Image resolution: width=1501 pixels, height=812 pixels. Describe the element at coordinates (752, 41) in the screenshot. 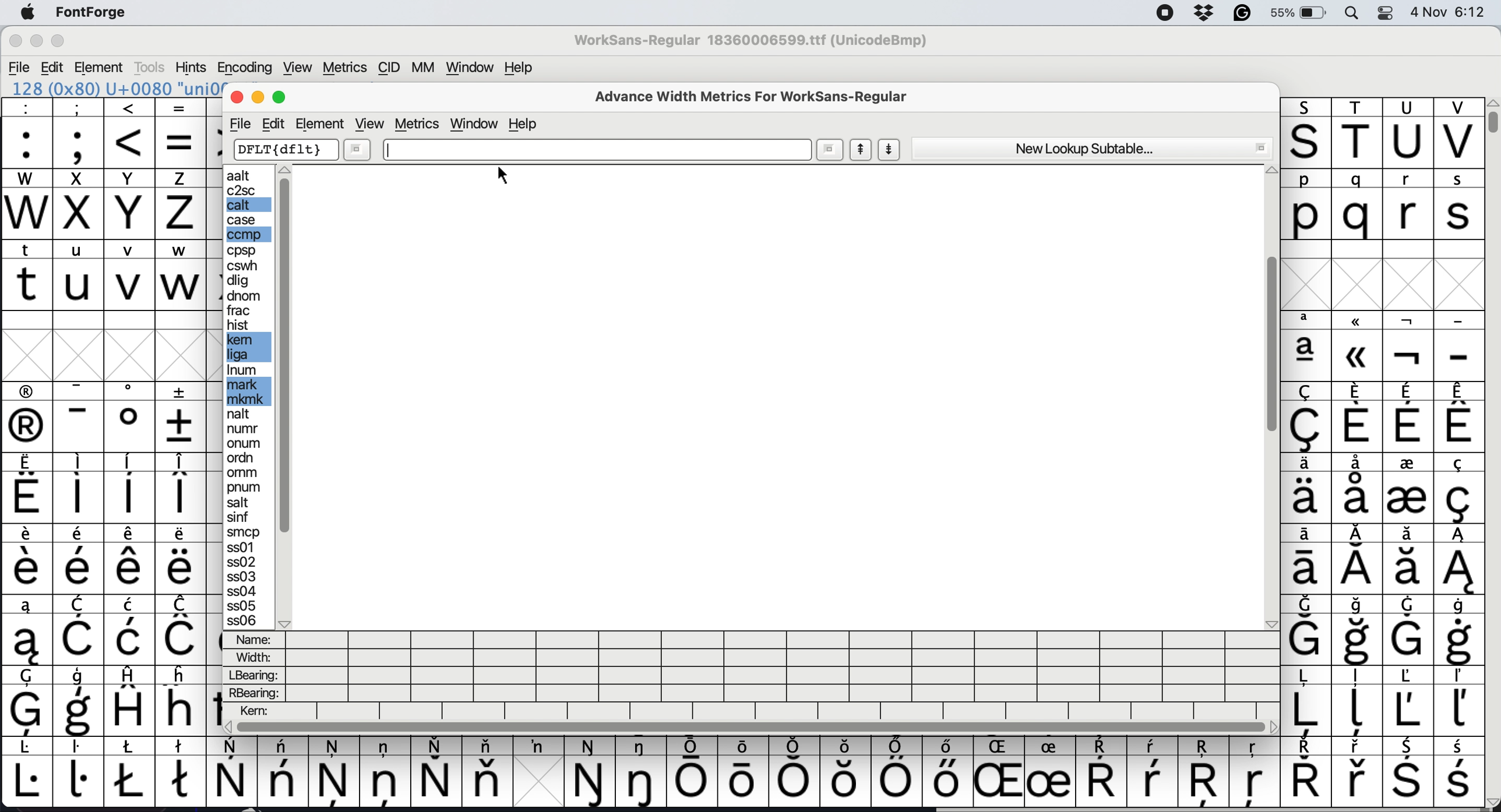

I see `WorkSans-Regular 18360006599.ttf (UnicodeBmp)` at that location.